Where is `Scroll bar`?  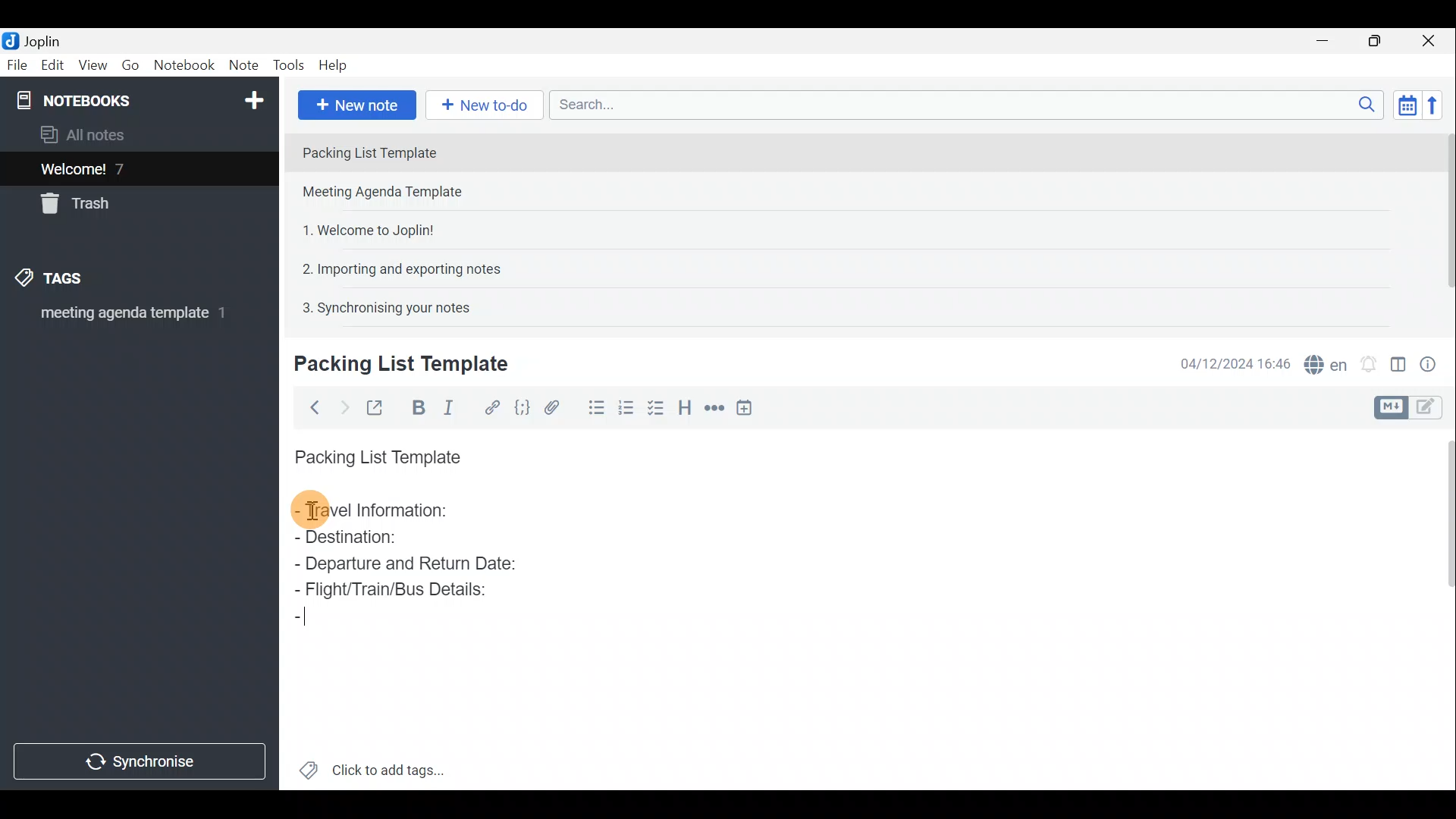
Scroll bar is located at coordinates (1442, 607).